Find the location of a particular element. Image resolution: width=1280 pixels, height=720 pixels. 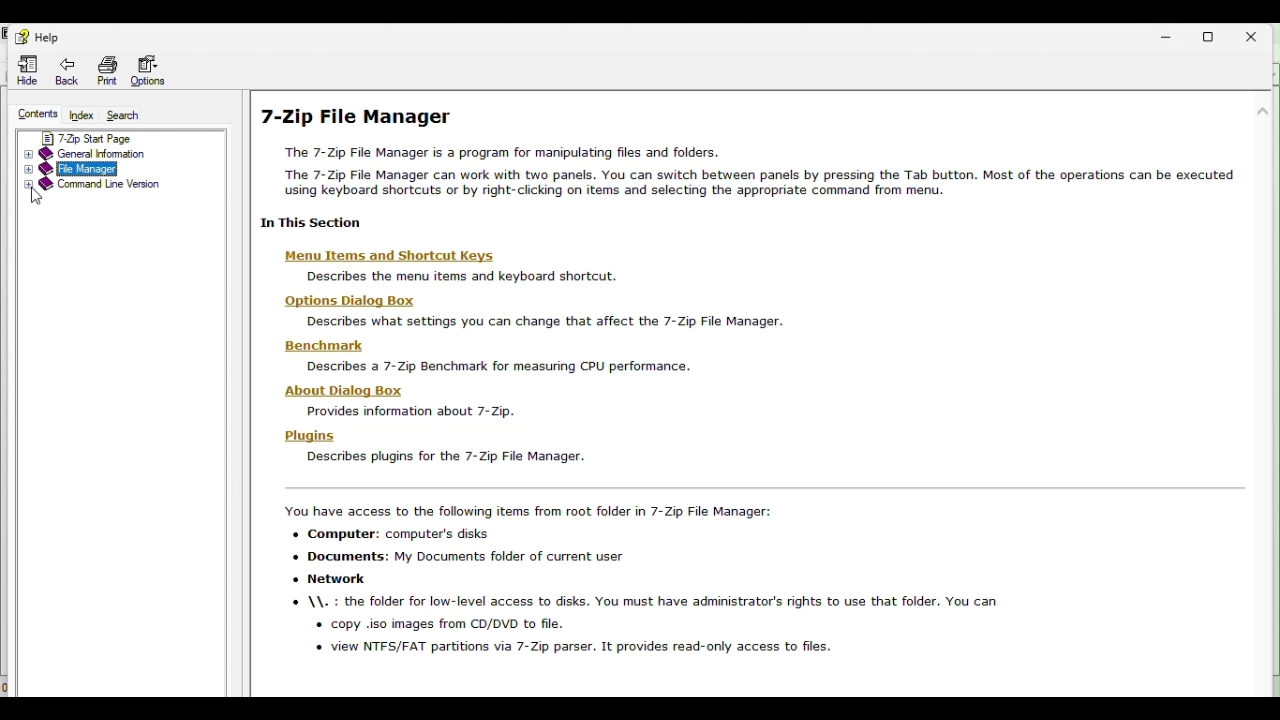

‘About Dialog Box is located at coordinates (347, 390).